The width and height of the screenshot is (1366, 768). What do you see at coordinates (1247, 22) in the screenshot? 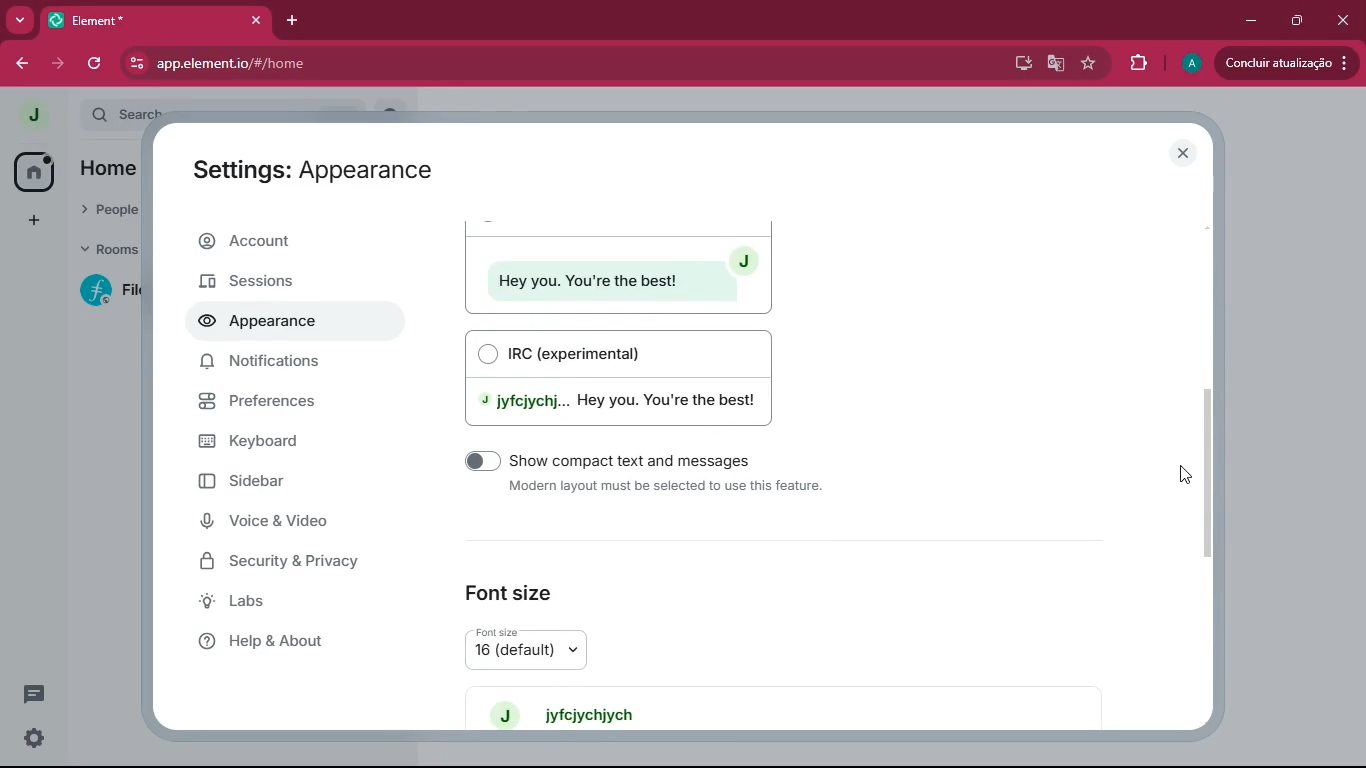
I see `minimize` at bounding box center [1247, 22].